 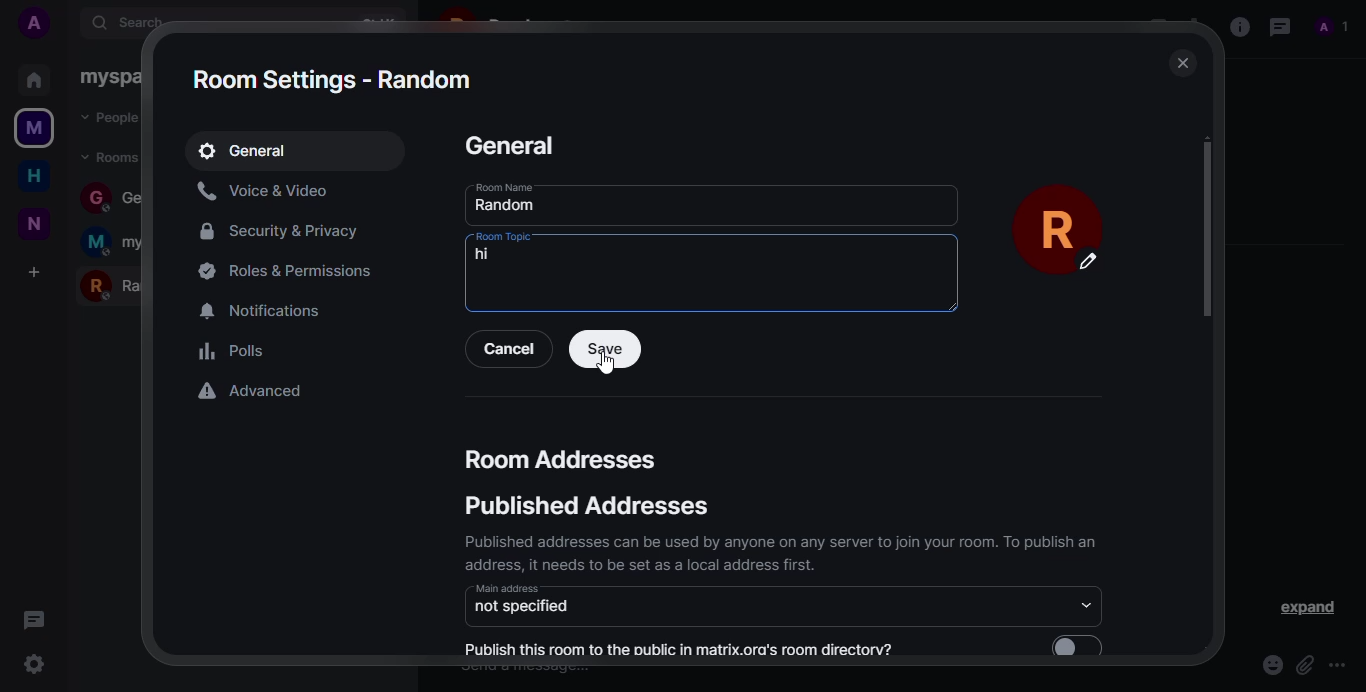 I want to click on not specified, so click(x=527, y=609).